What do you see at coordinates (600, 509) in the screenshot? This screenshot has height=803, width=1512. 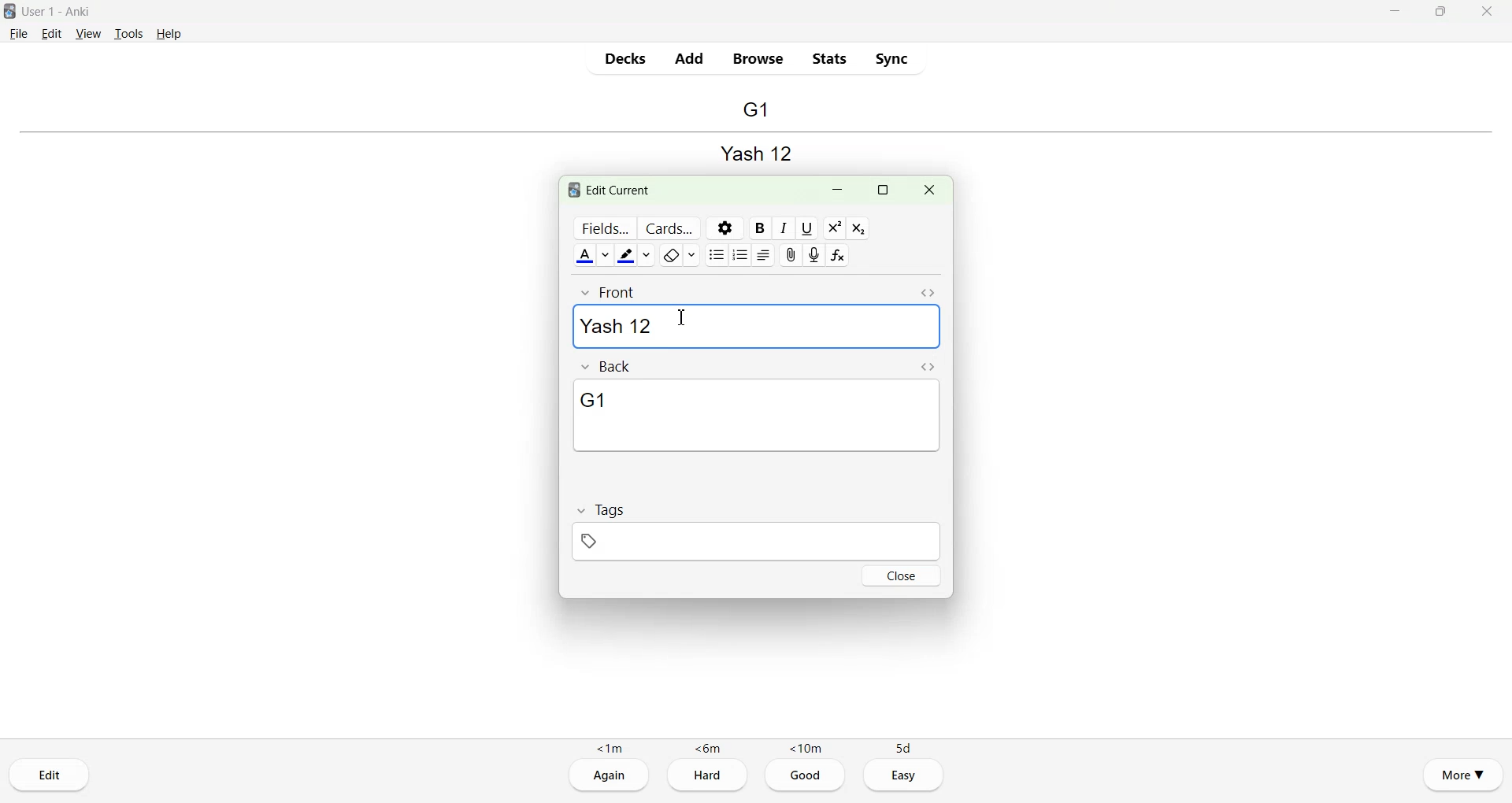 I see `Tags` at bounding box center [600, 509].